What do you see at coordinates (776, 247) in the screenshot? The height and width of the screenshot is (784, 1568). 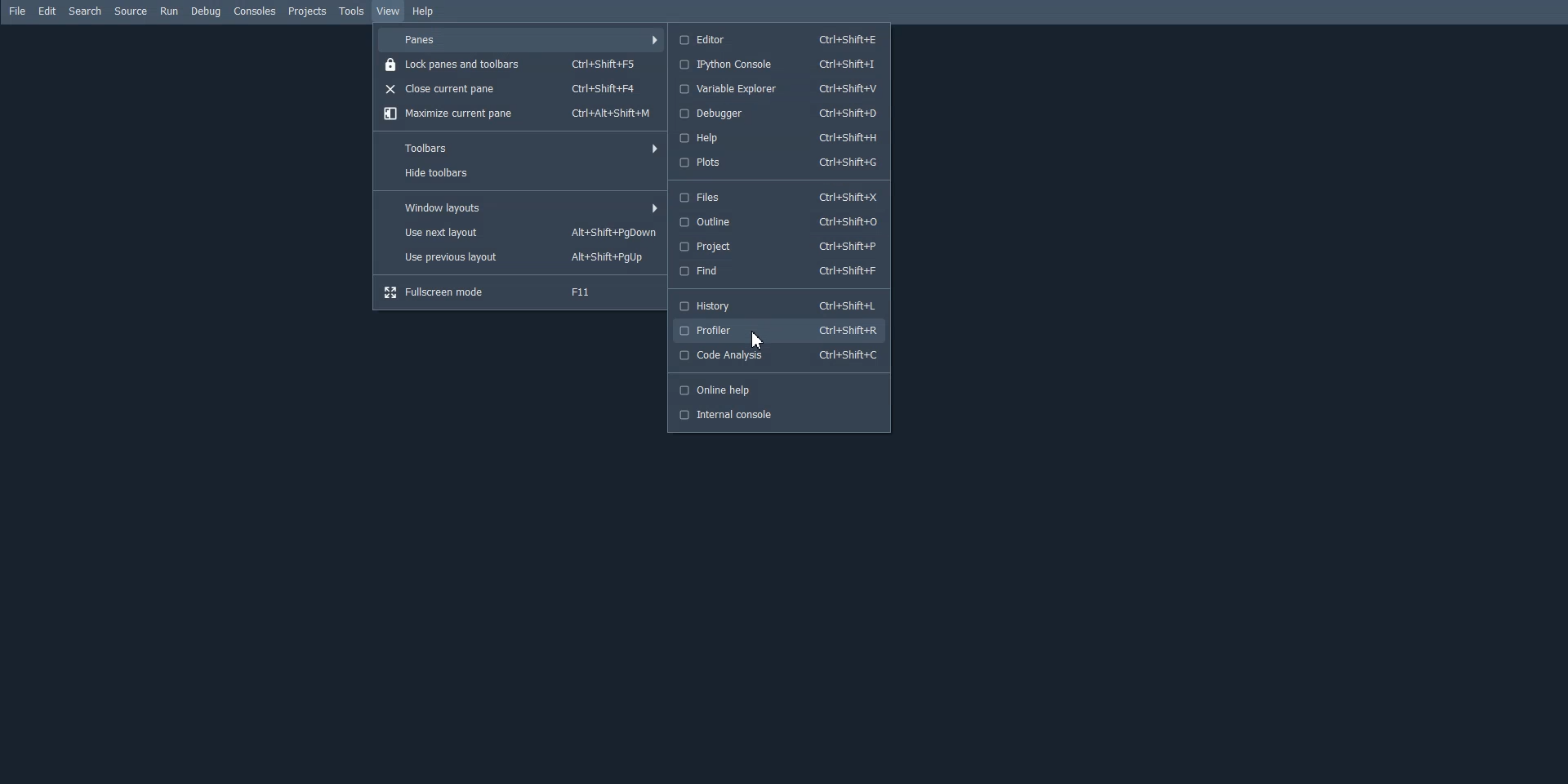 I see `Project` at bounding box center [776, 247].